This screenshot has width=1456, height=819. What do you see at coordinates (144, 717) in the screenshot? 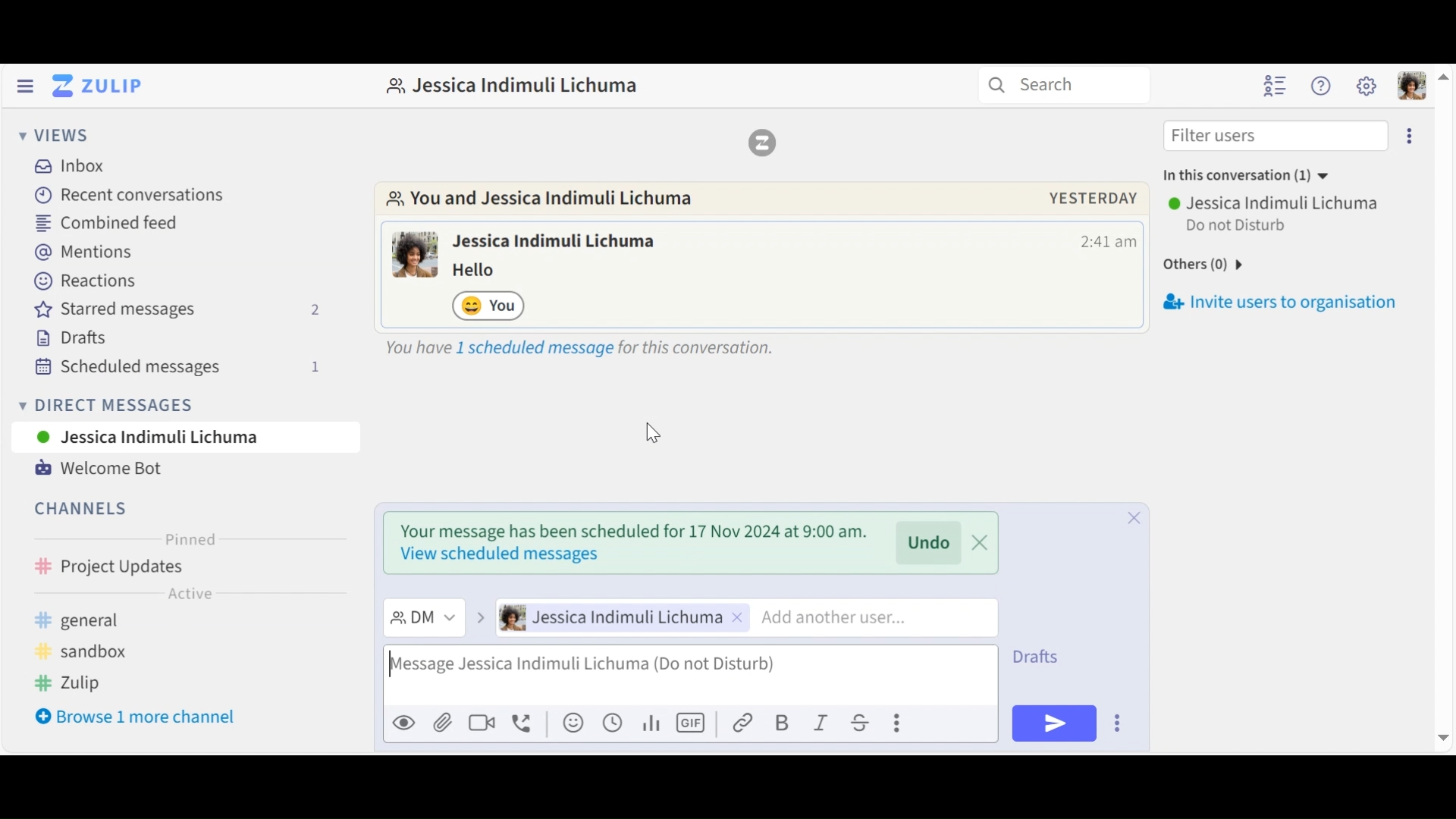
I see `Browse more channel` at bounding box center [144, 717].